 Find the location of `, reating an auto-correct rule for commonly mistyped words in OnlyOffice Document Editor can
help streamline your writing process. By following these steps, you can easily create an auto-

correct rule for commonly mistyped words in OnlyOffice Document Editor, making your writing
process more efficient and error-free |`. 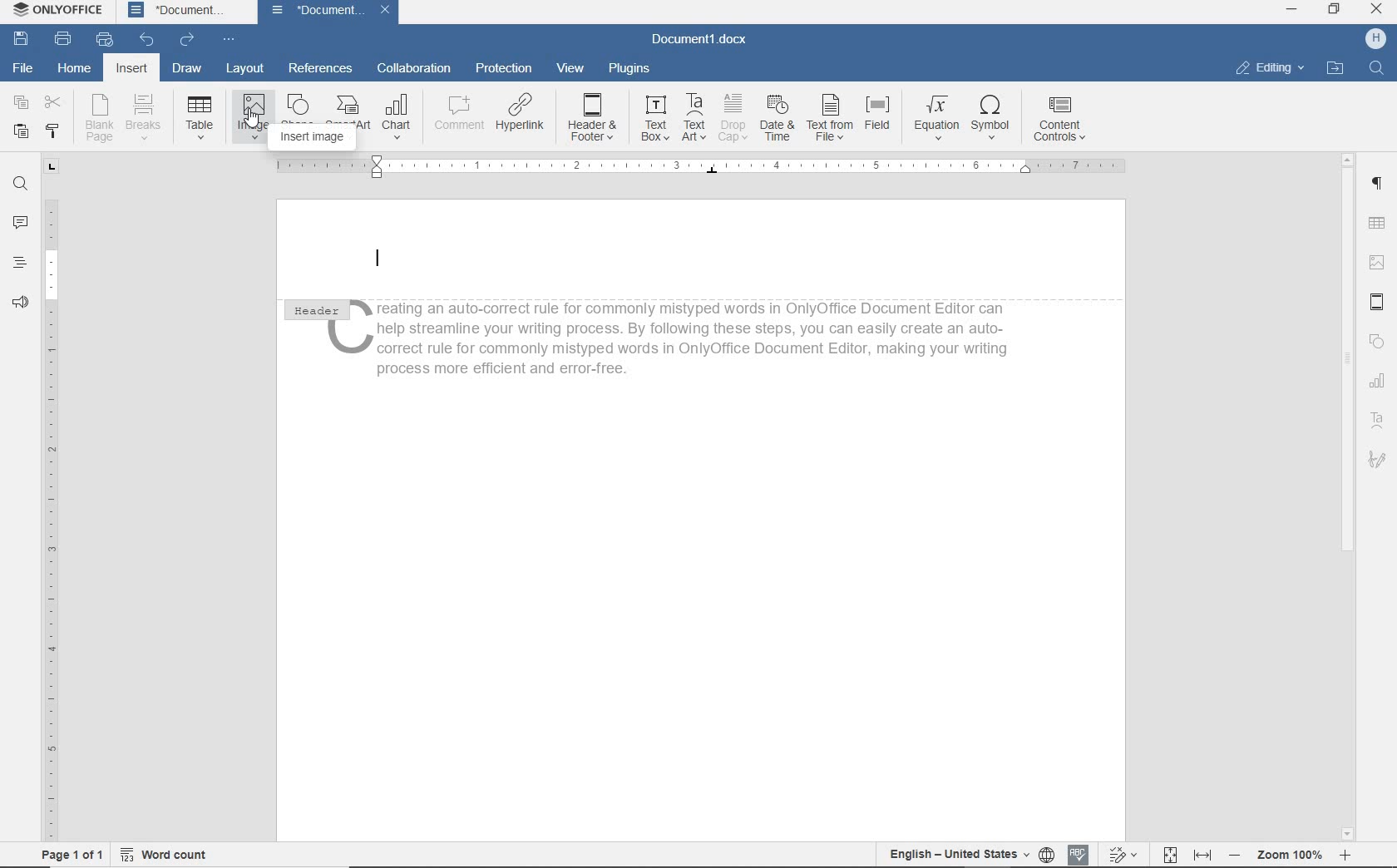

, reating an auto-correct rule for commonly mistyped words in OnlyOffice Document Editor can
help streamline your writing process. By following these steps, you can easily create an auto-

correct rule for commonly mistyped words in OnlyOffice Document Editor, making your writing
process more efficient and error-free | is located at coordinates (689, 338).